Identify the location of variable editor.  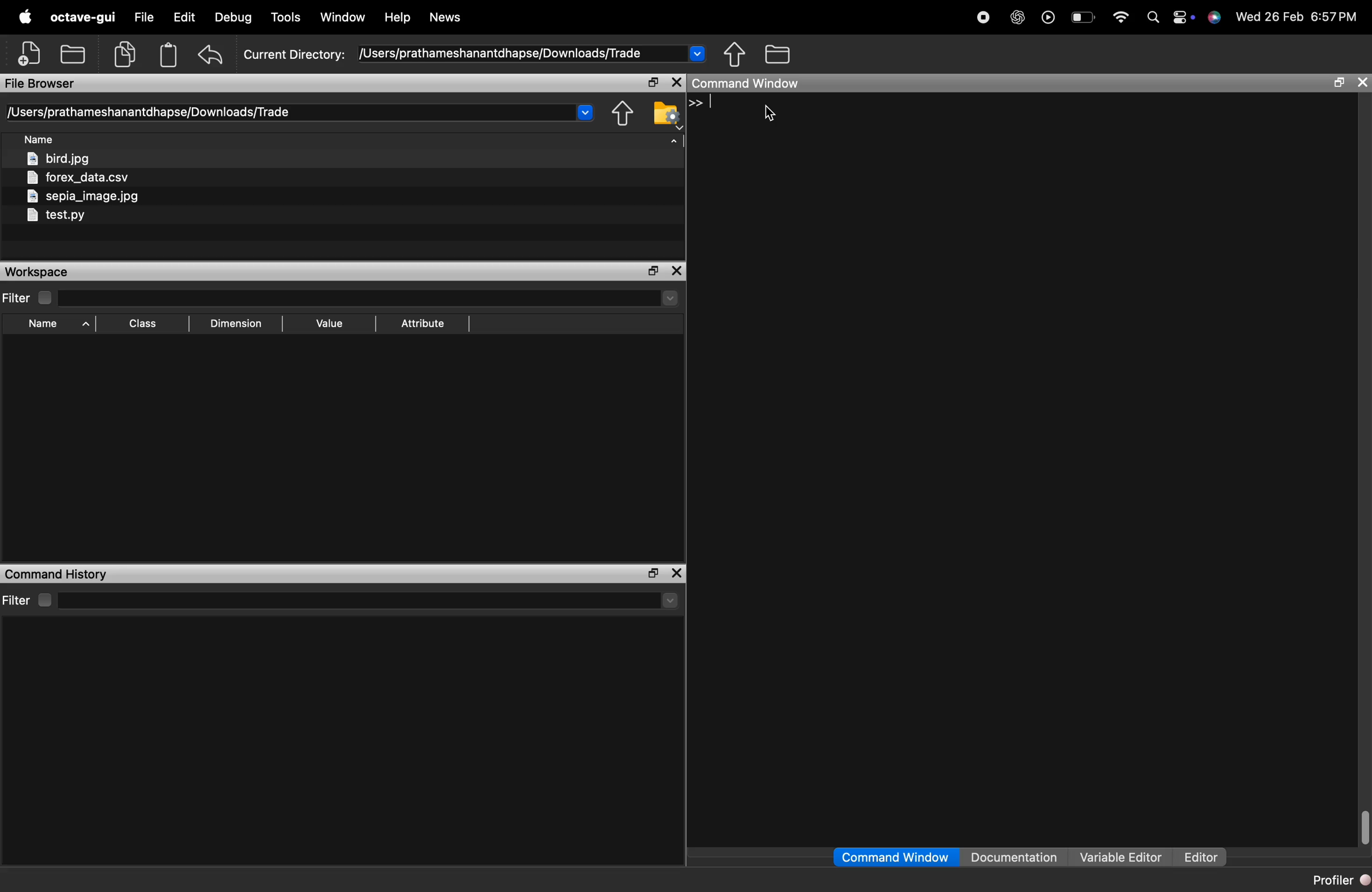
(1121, 857).